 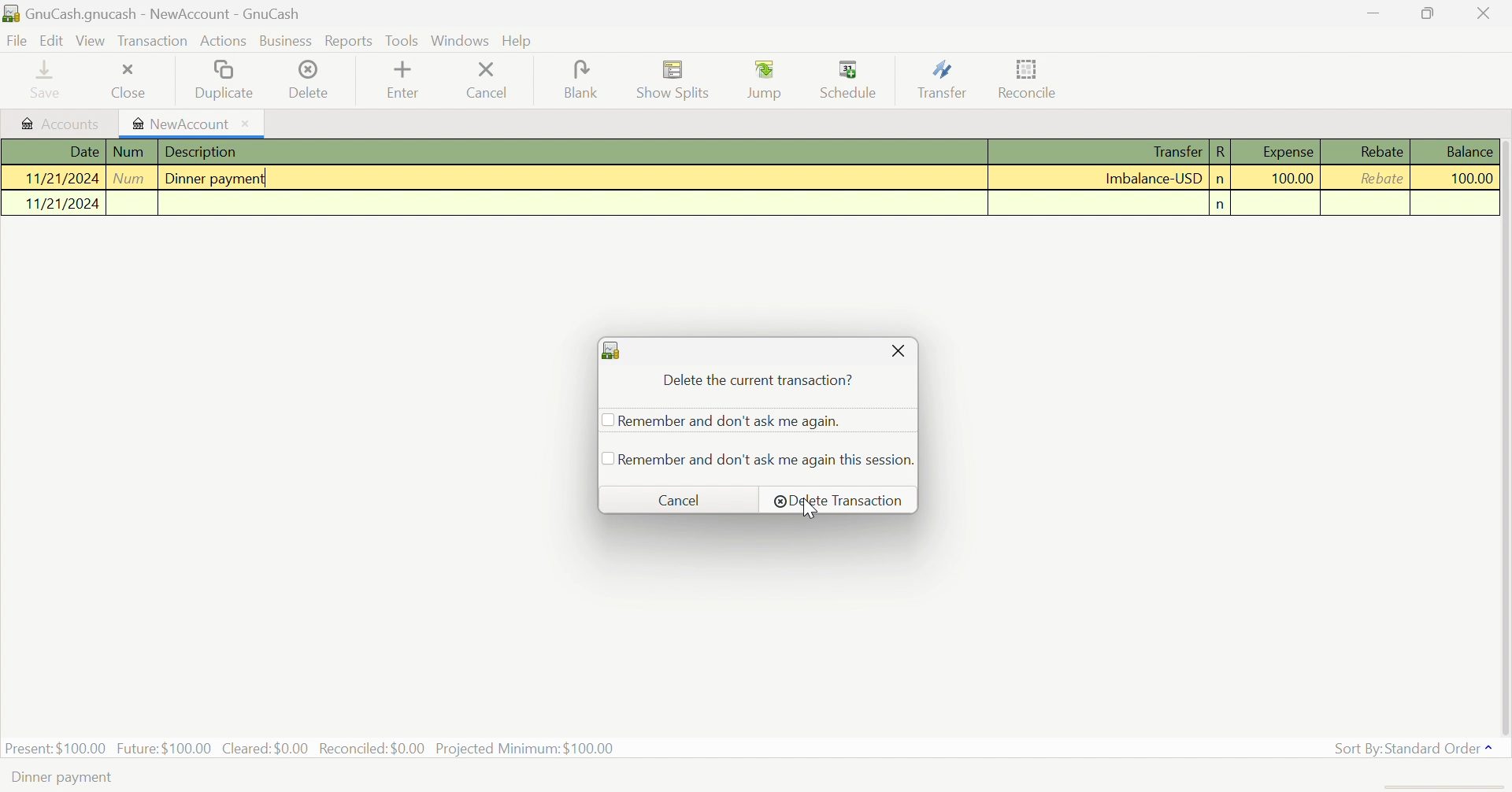 I want to click on Delete the current transaction?, so click(x=762, y=380).